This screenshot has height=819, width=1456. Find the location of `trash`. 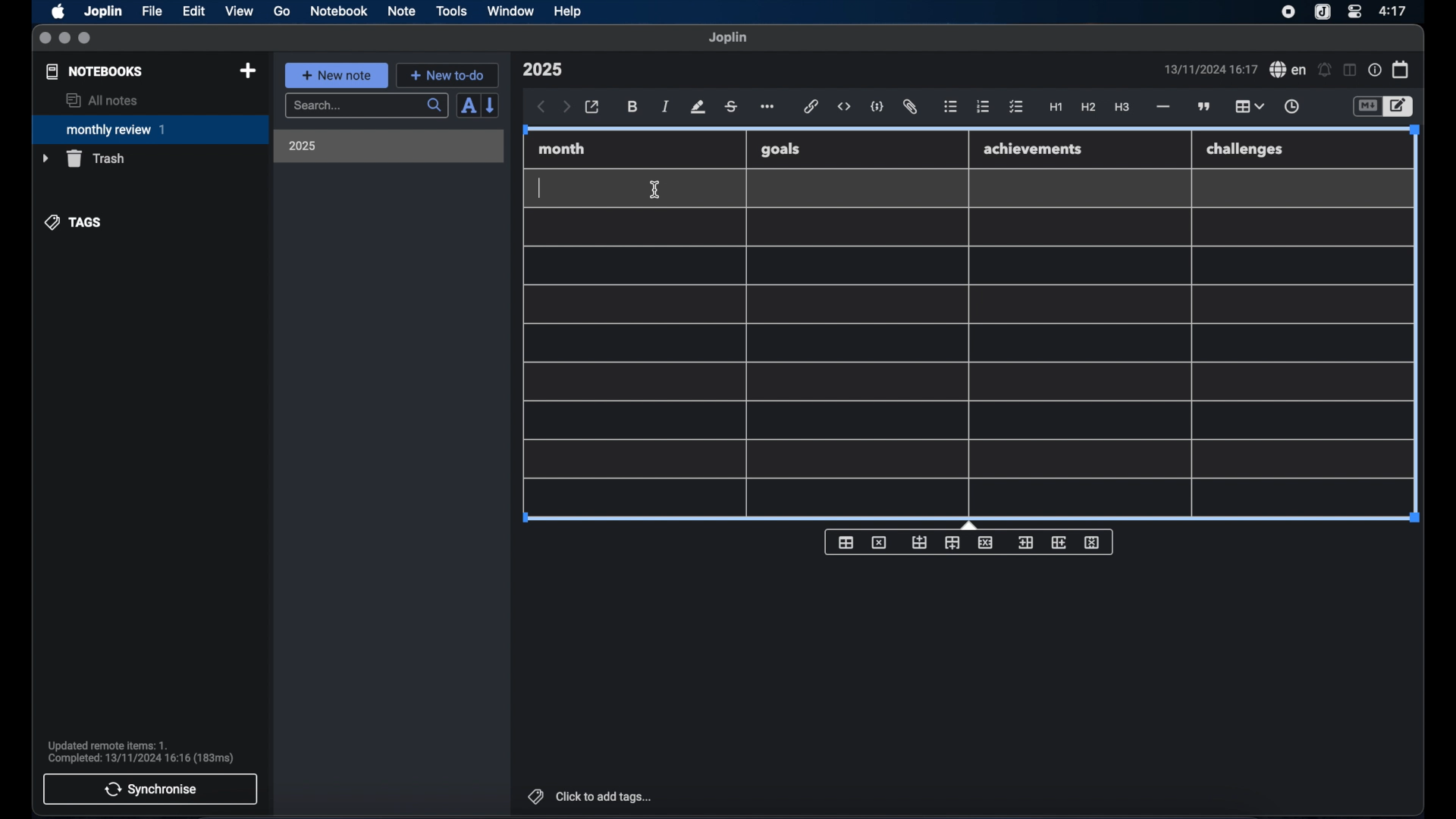

trash is located at coordinates (83, 158).